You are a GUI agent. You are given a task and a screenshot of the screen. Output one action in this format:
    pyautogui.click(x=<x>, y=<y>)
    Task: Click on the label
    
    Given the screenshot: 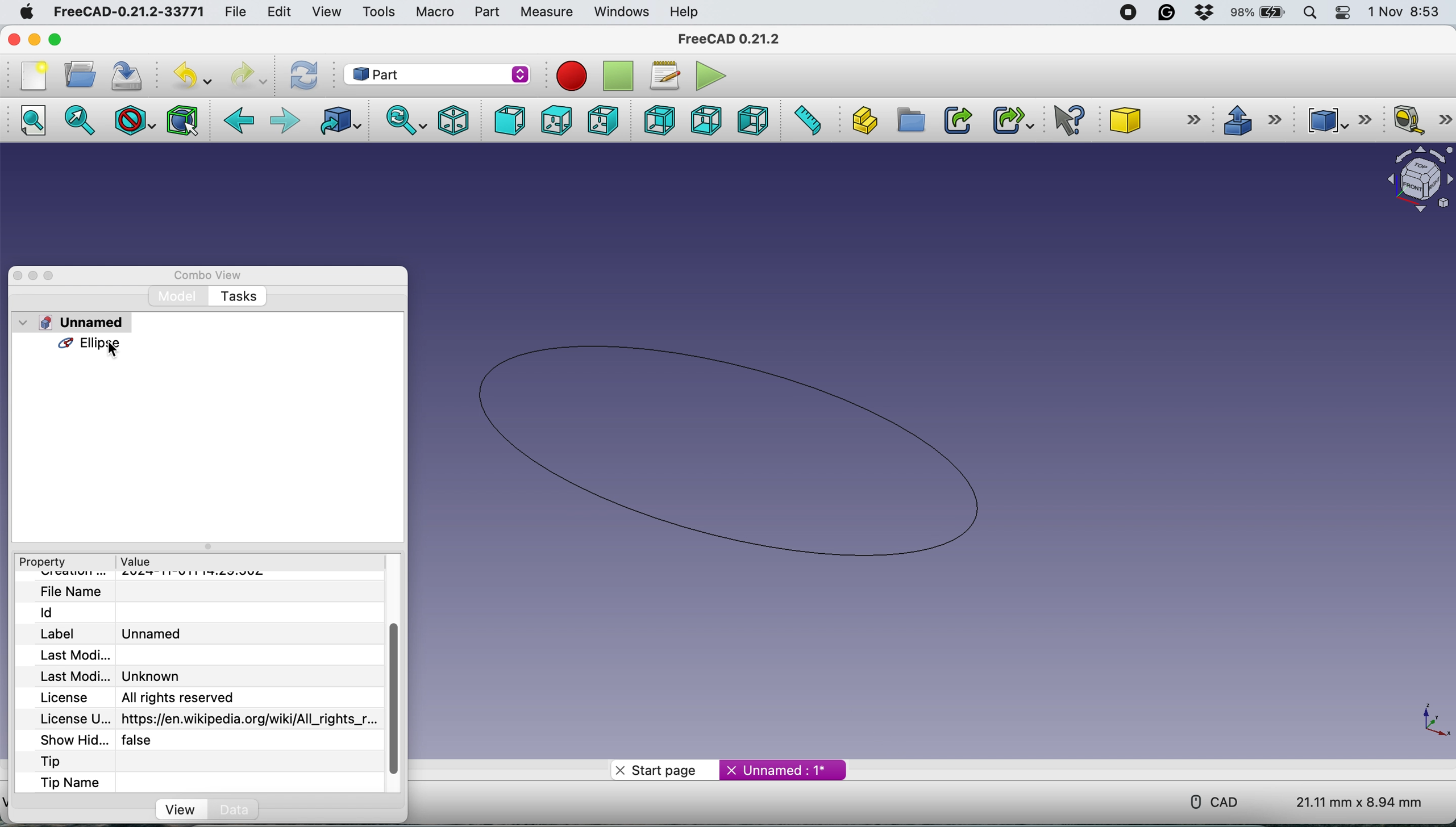 What is the action you would take?
    pyautogui.click(x=117, y=633)
    